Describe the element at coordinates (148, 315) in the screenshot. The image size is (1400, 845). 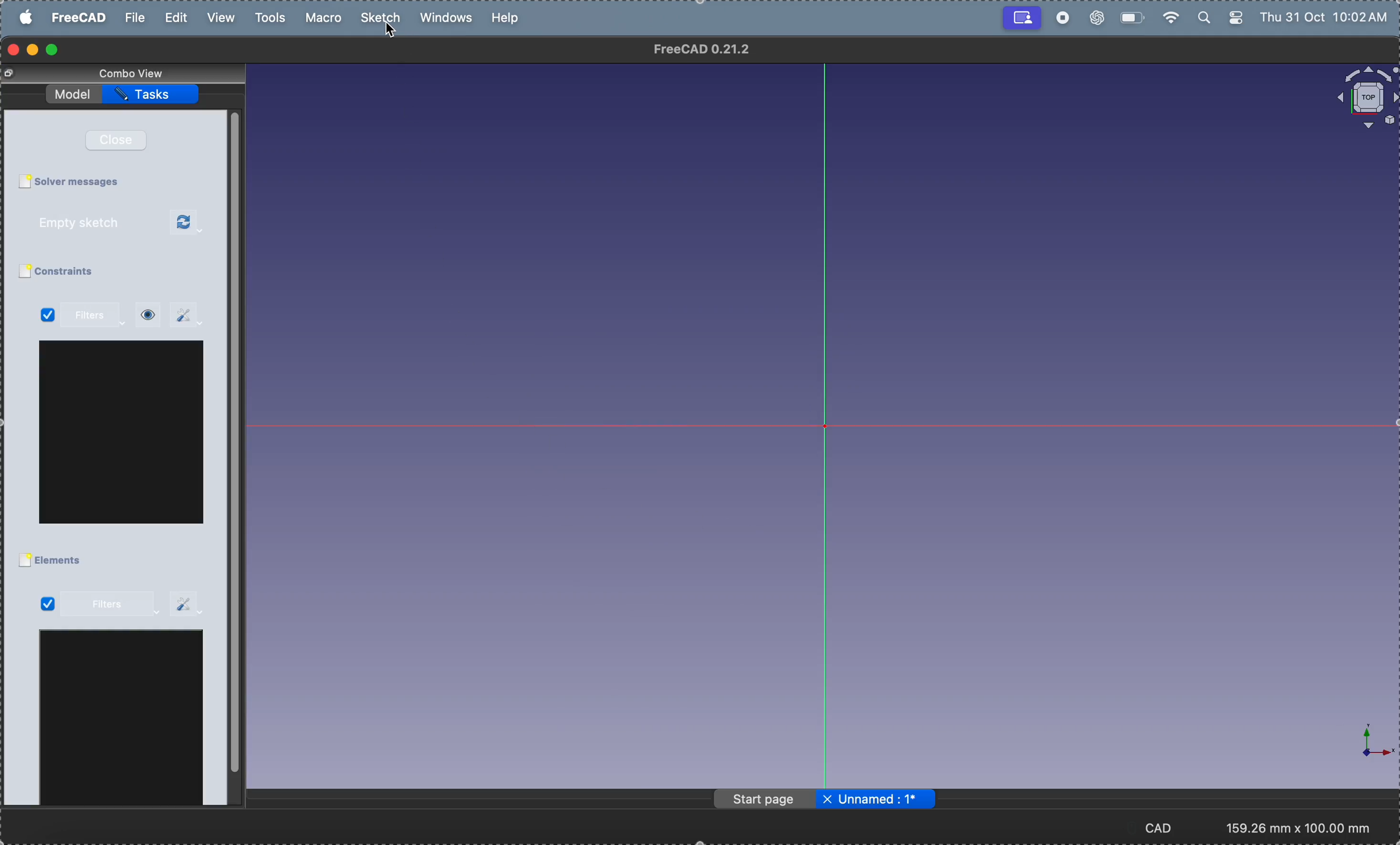
I see `view` at that location.